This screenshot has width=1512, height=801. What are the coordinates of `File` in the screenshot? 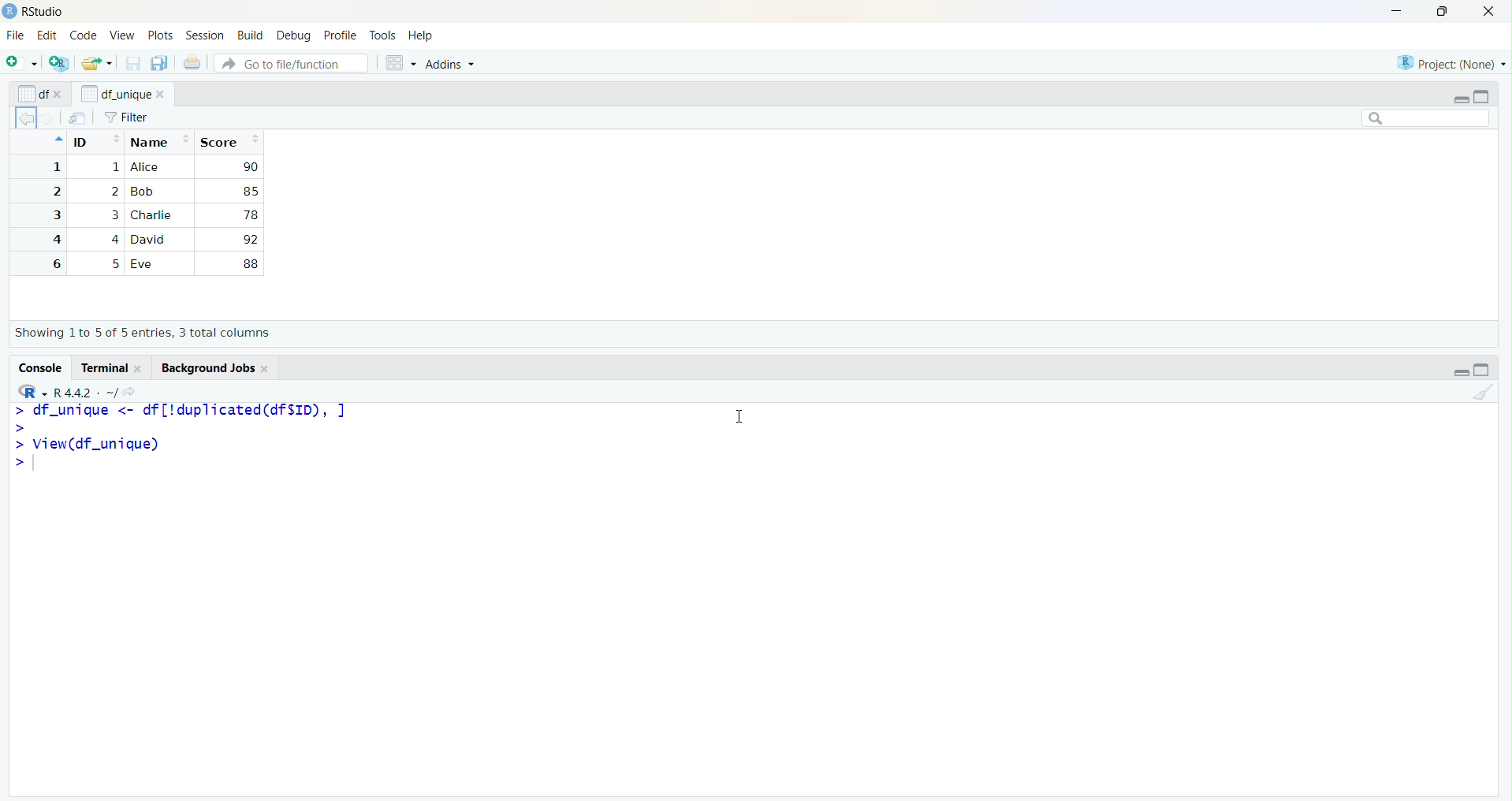 It's located at (15, 36).